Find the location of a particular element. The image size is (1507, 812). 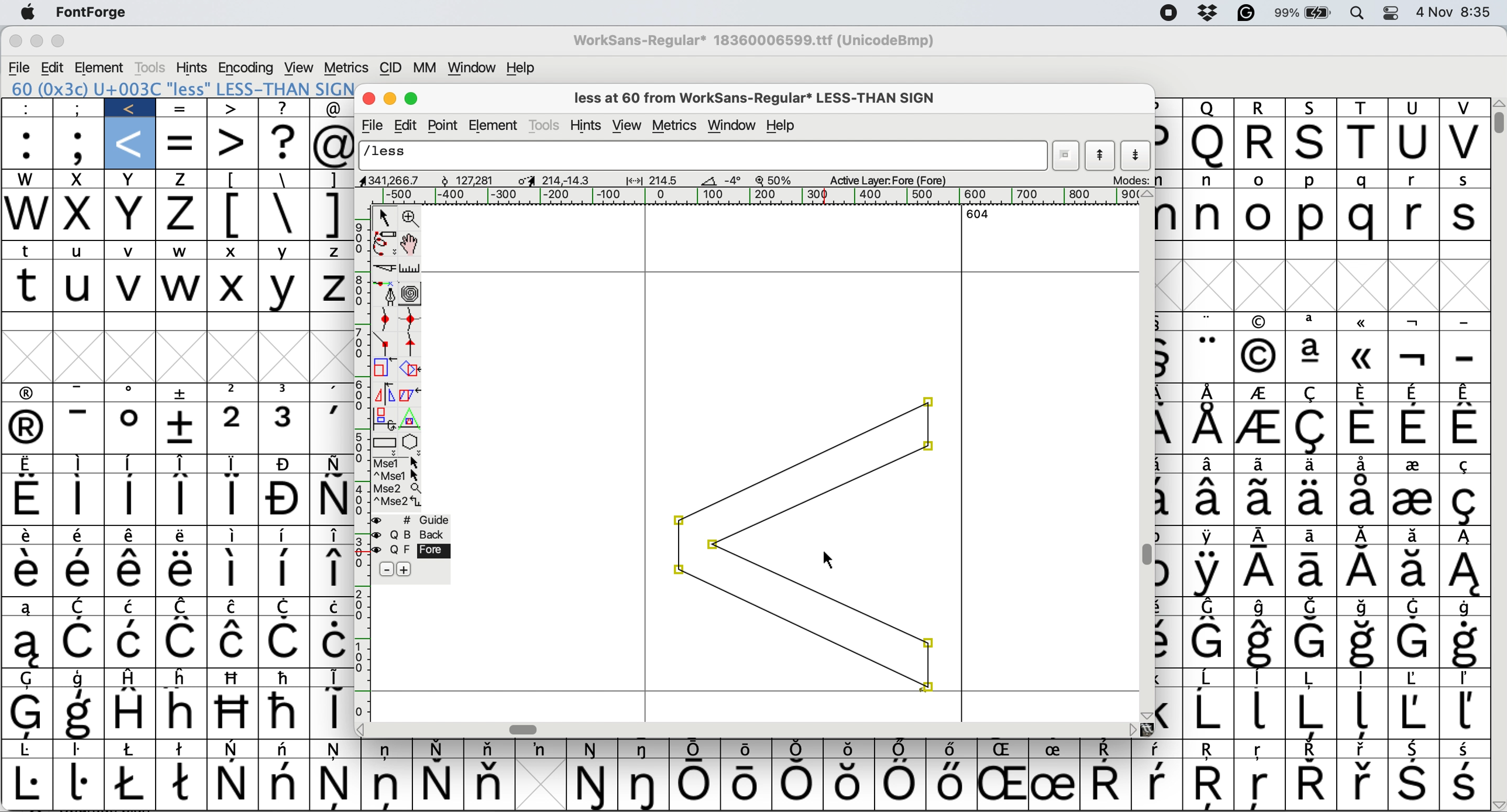

w is located at coordinates (181, 250).